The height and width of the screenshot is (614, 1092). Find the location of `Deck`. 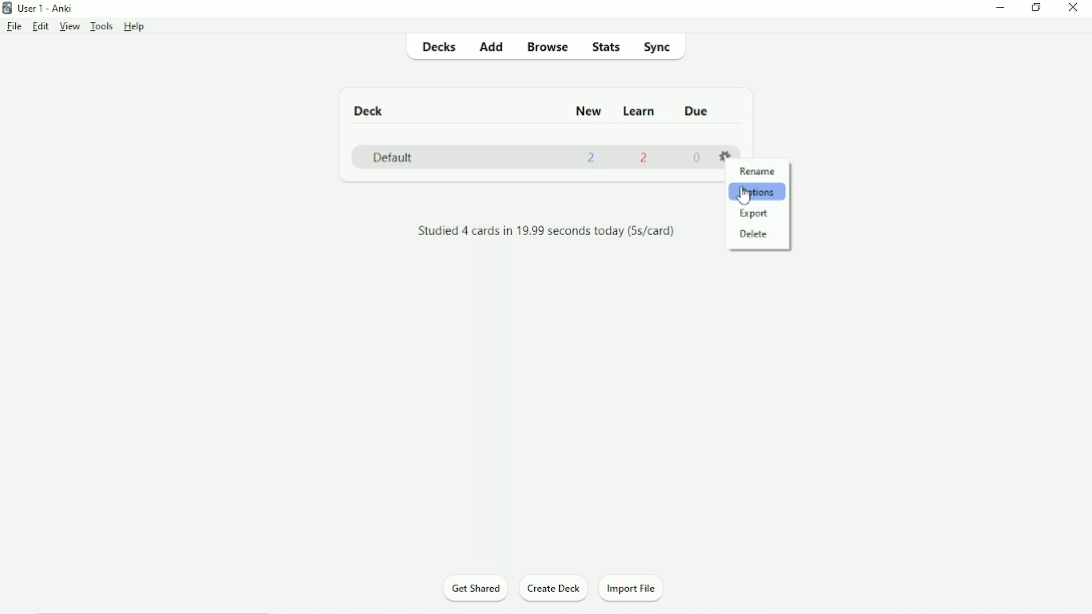

Deck is located at coordinates (371, 111).